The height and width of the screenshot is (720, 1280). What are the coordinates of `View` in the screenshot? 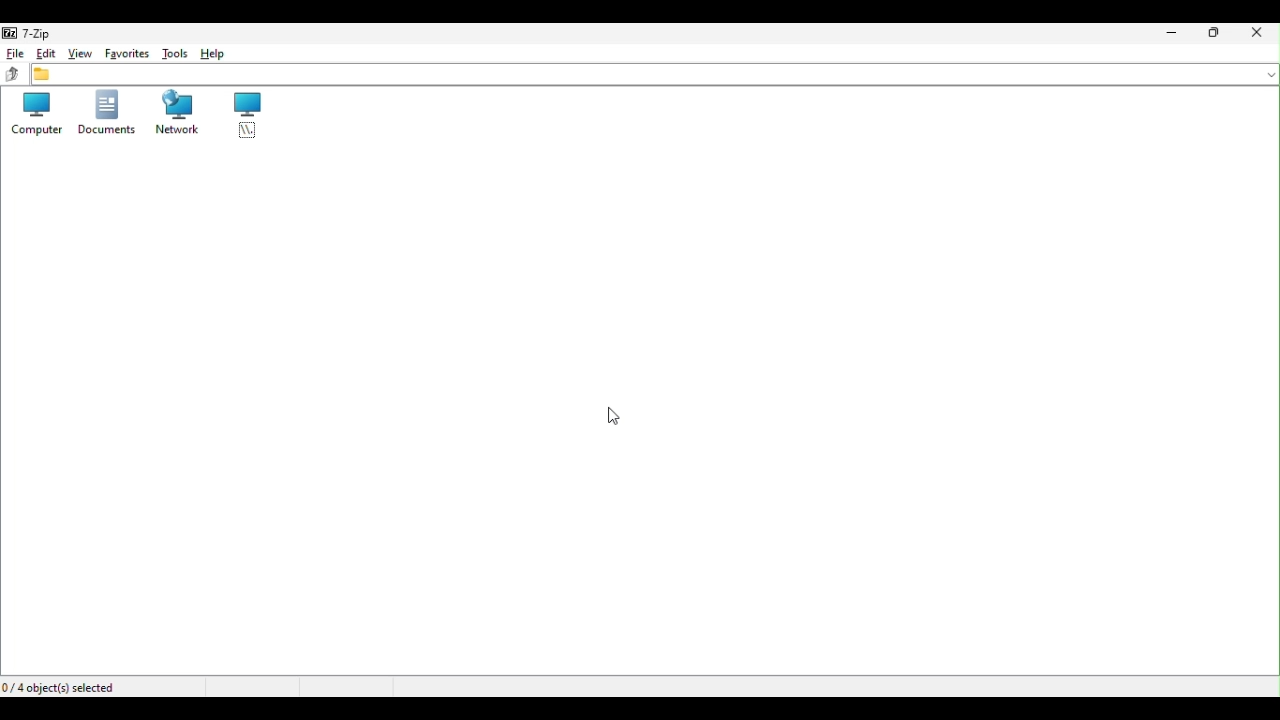 It's located at (80, 53).